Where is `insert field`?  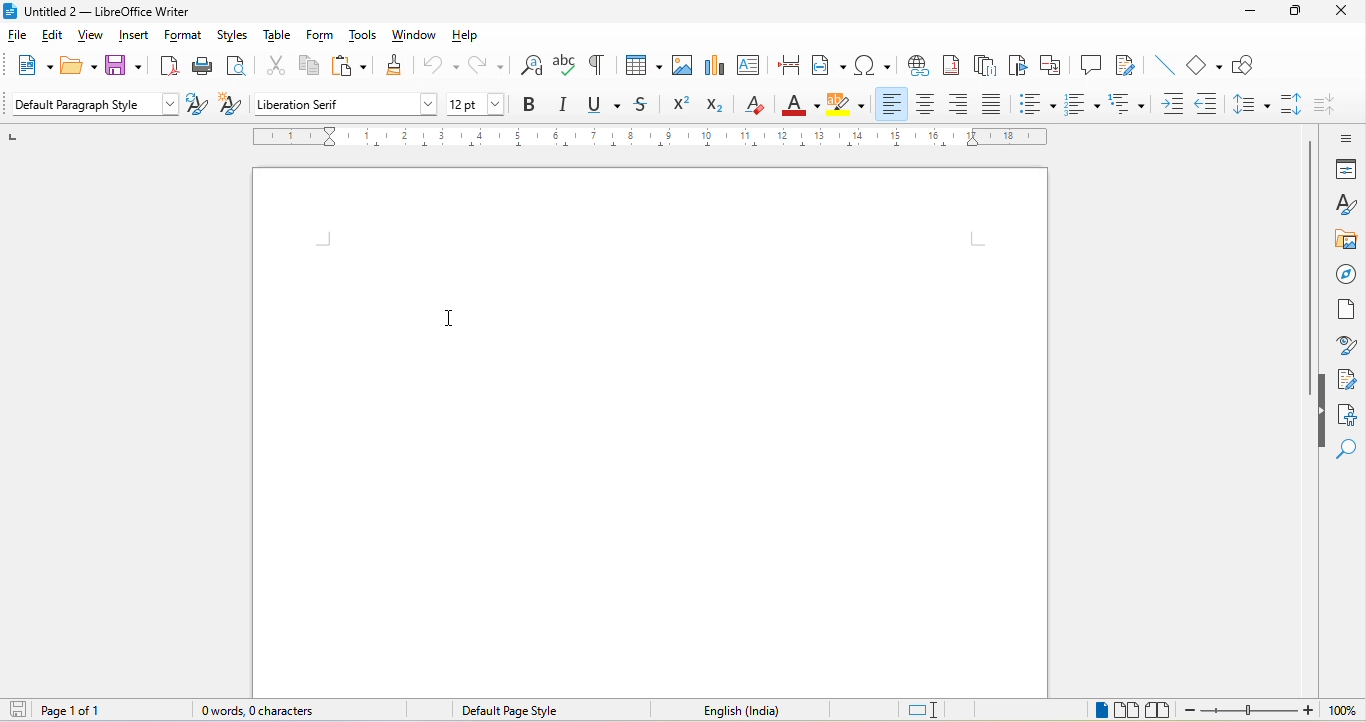
insert field is located at coordinates (828, 66).